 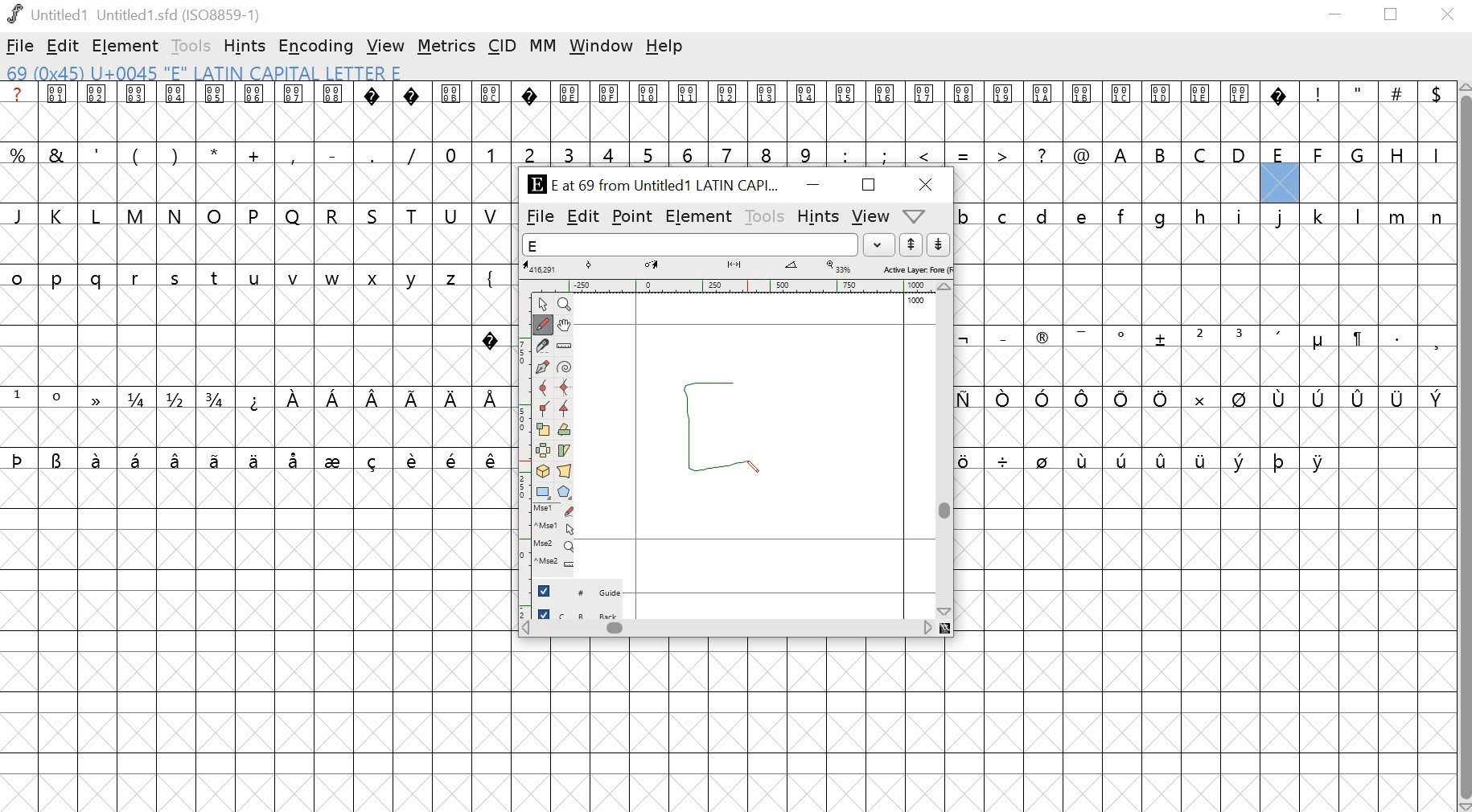 What do you see at coordinates (553, 511) in the screenshot?
I see `Mouse left button` at bounding box center [553, 511].